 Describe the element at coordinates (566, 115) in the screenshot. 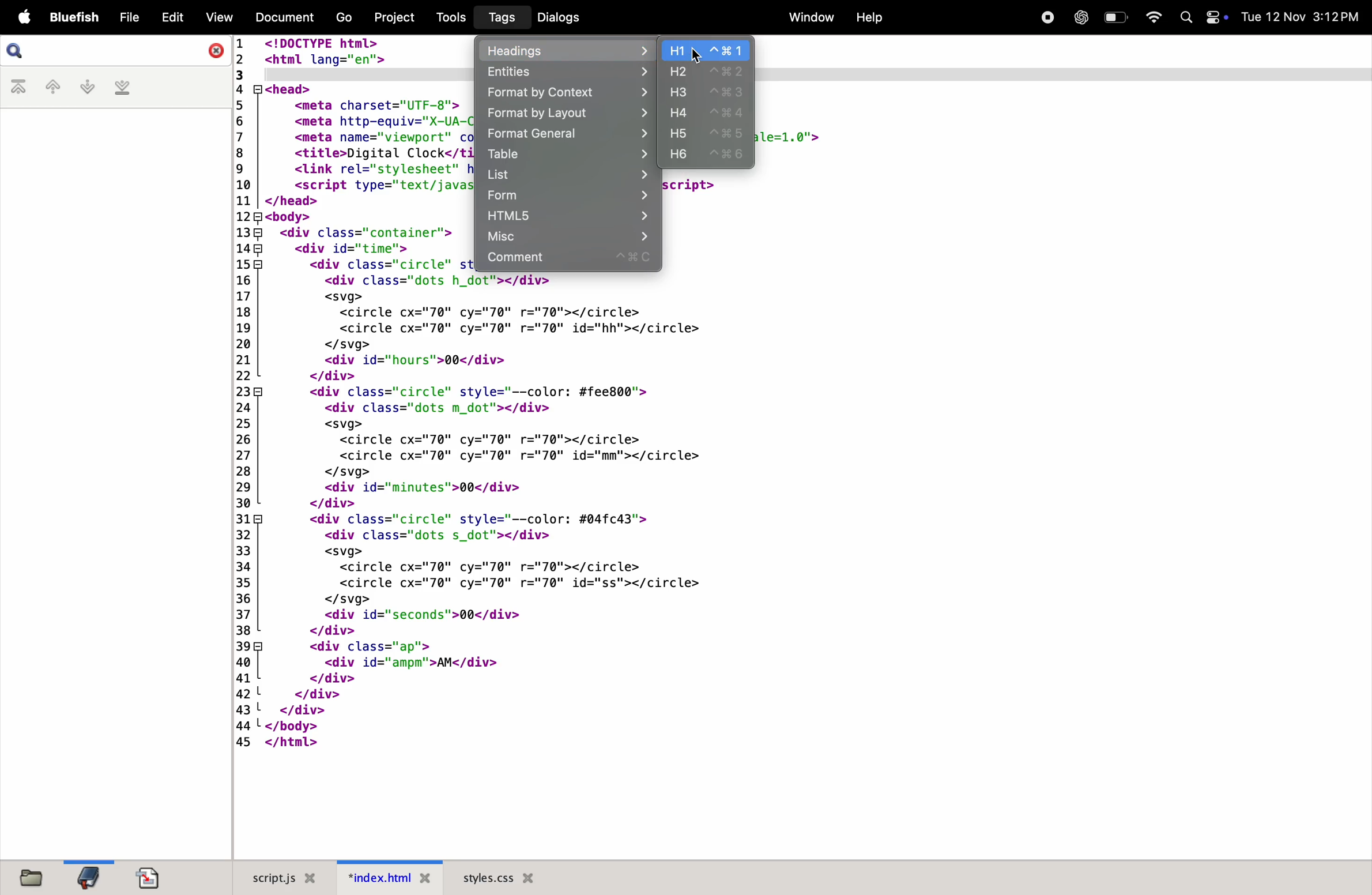

I see `format by layout` at that location.